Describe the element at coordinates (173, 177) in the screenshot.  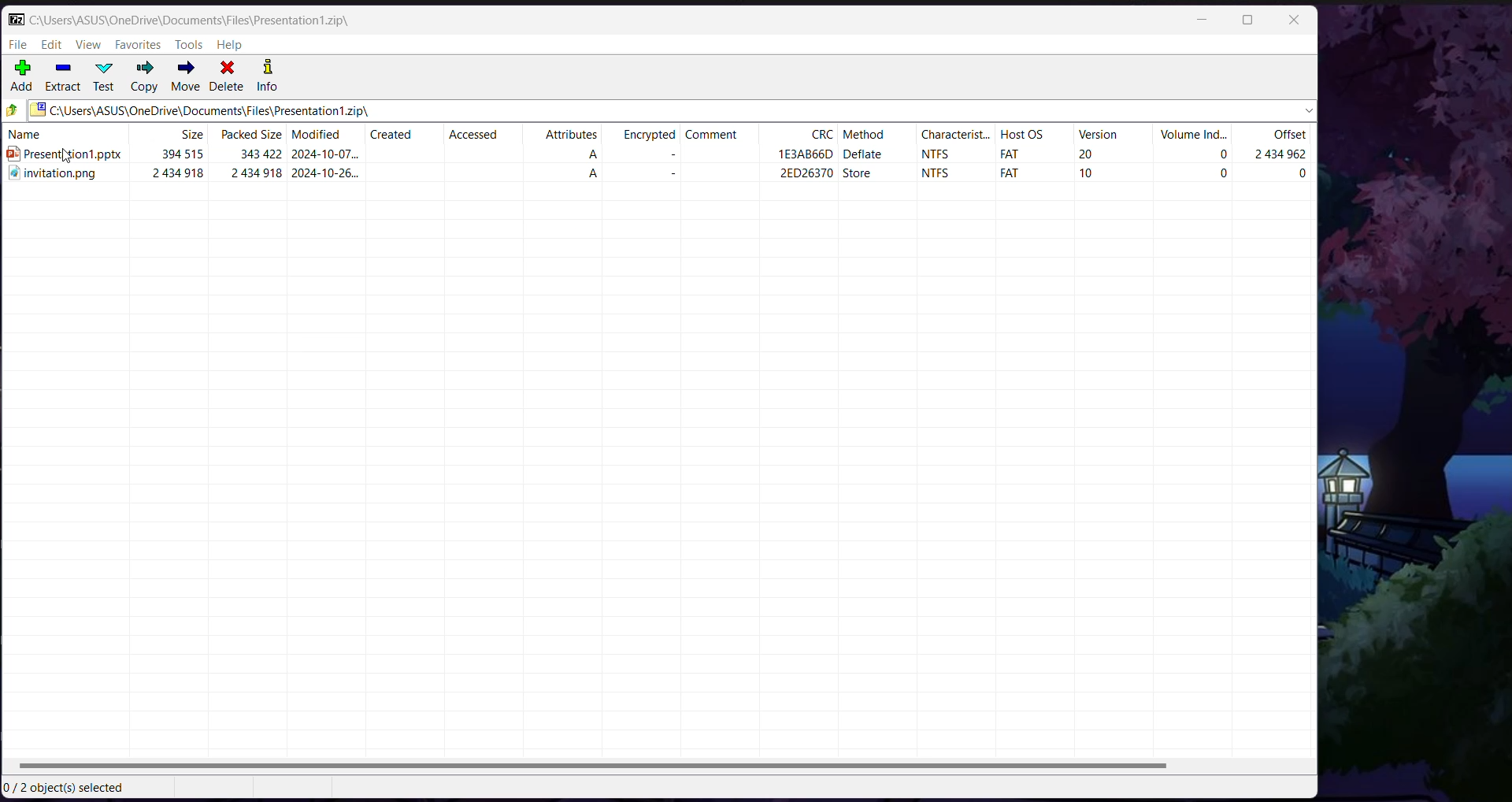
I see `2434918` at that location.